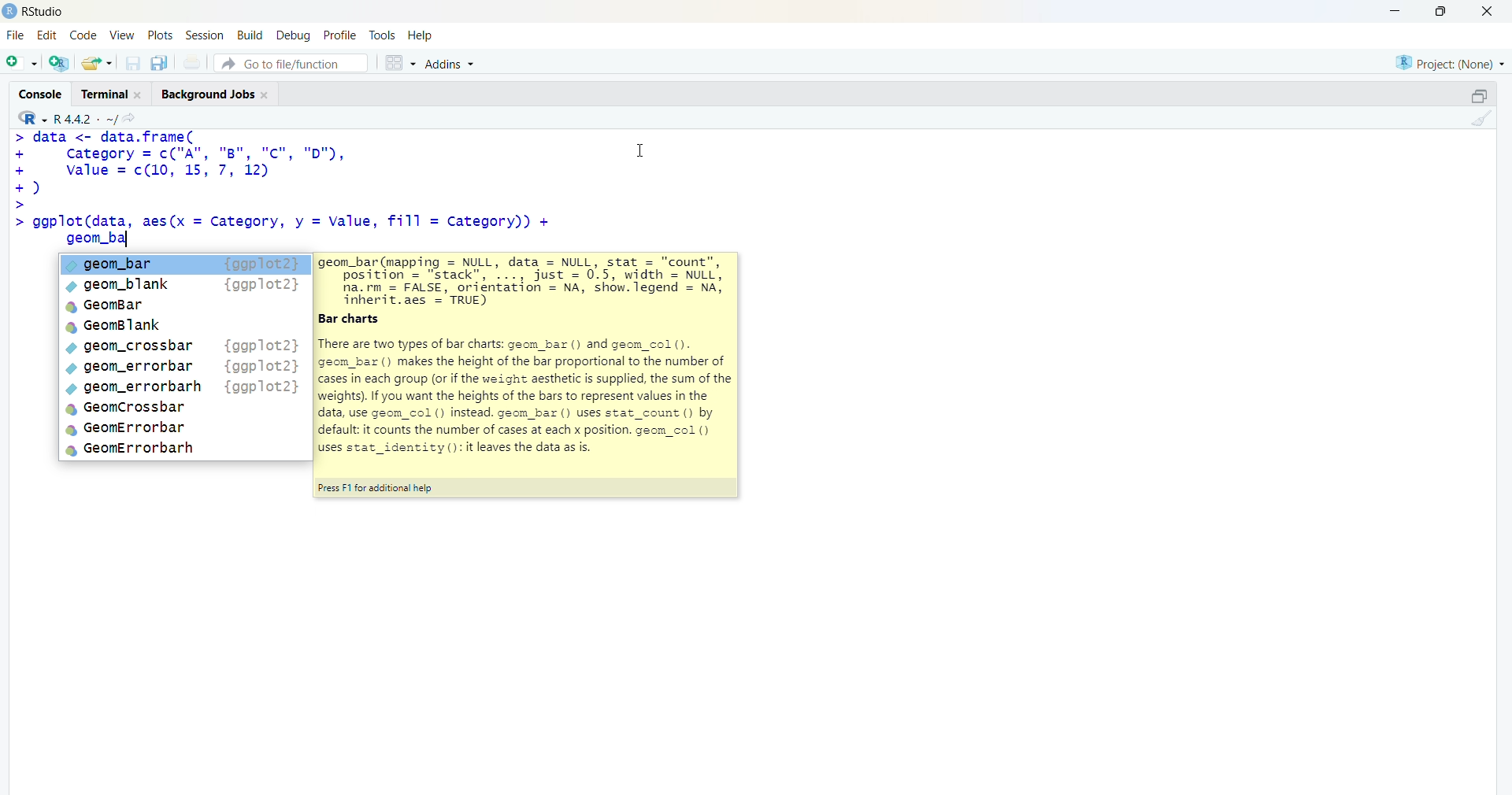 The height and width of the screenshot is (795, 1512). I want to click on Addins, so click(453, 65).